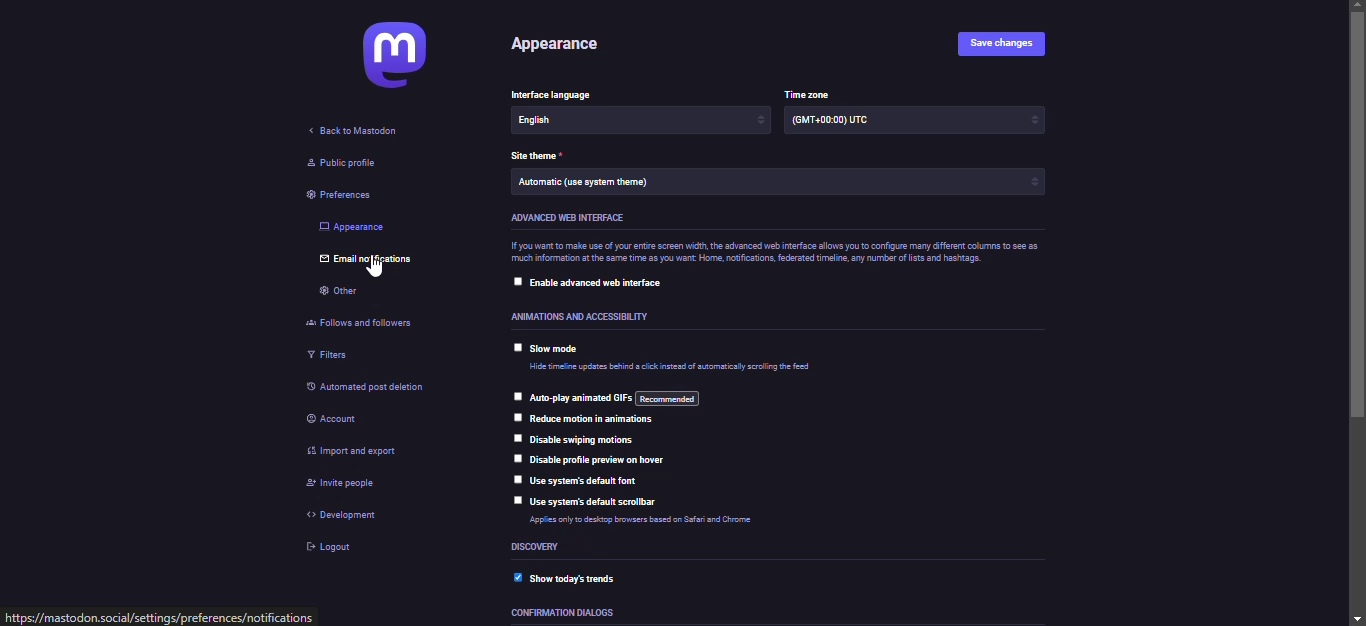  Describe the element at coordinates (1002, 42) in the screenshot. I see `save changes` at that location.